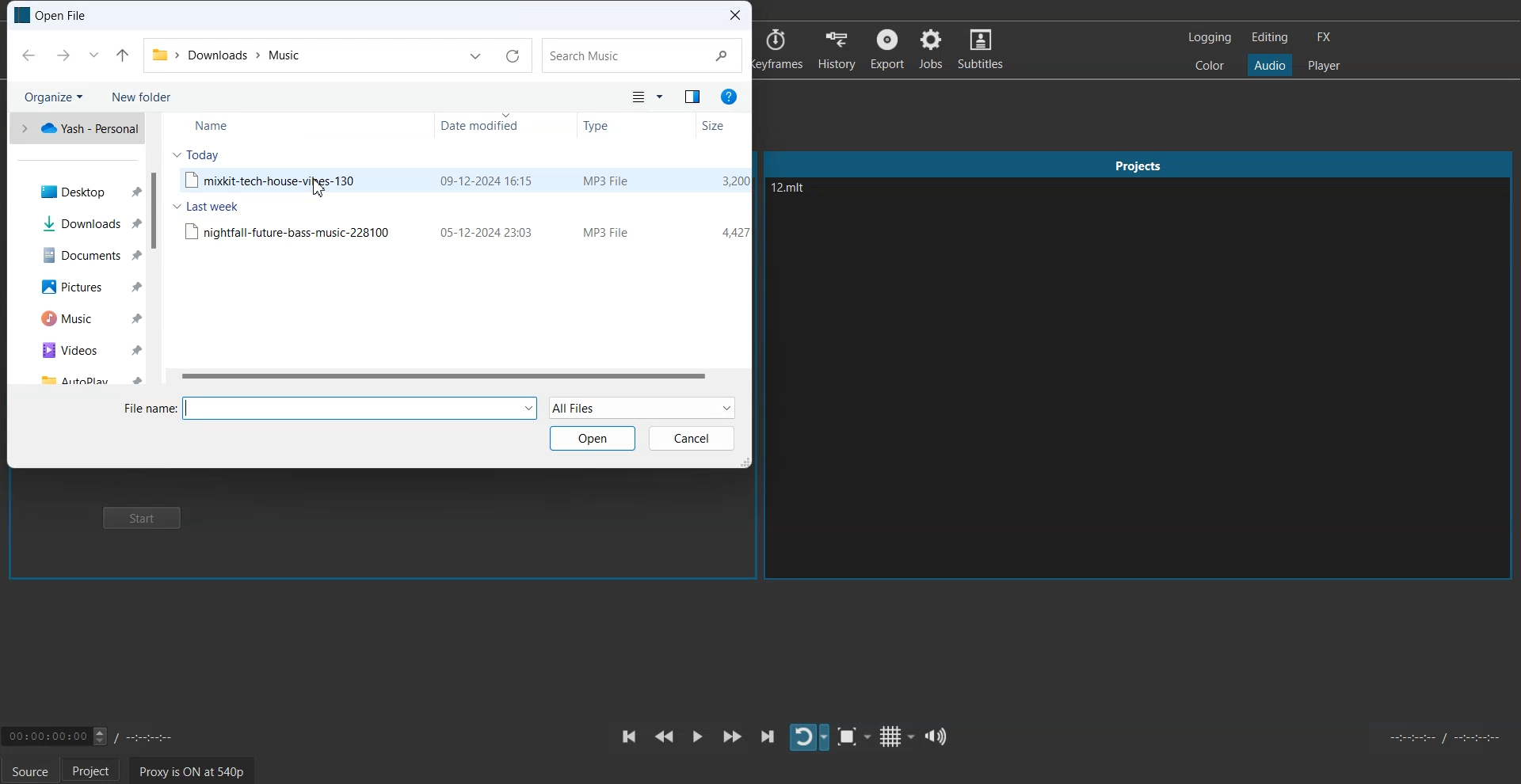 The width and height of the screenshot is (1521, 784). I want to click on Help, so click(730, 95).